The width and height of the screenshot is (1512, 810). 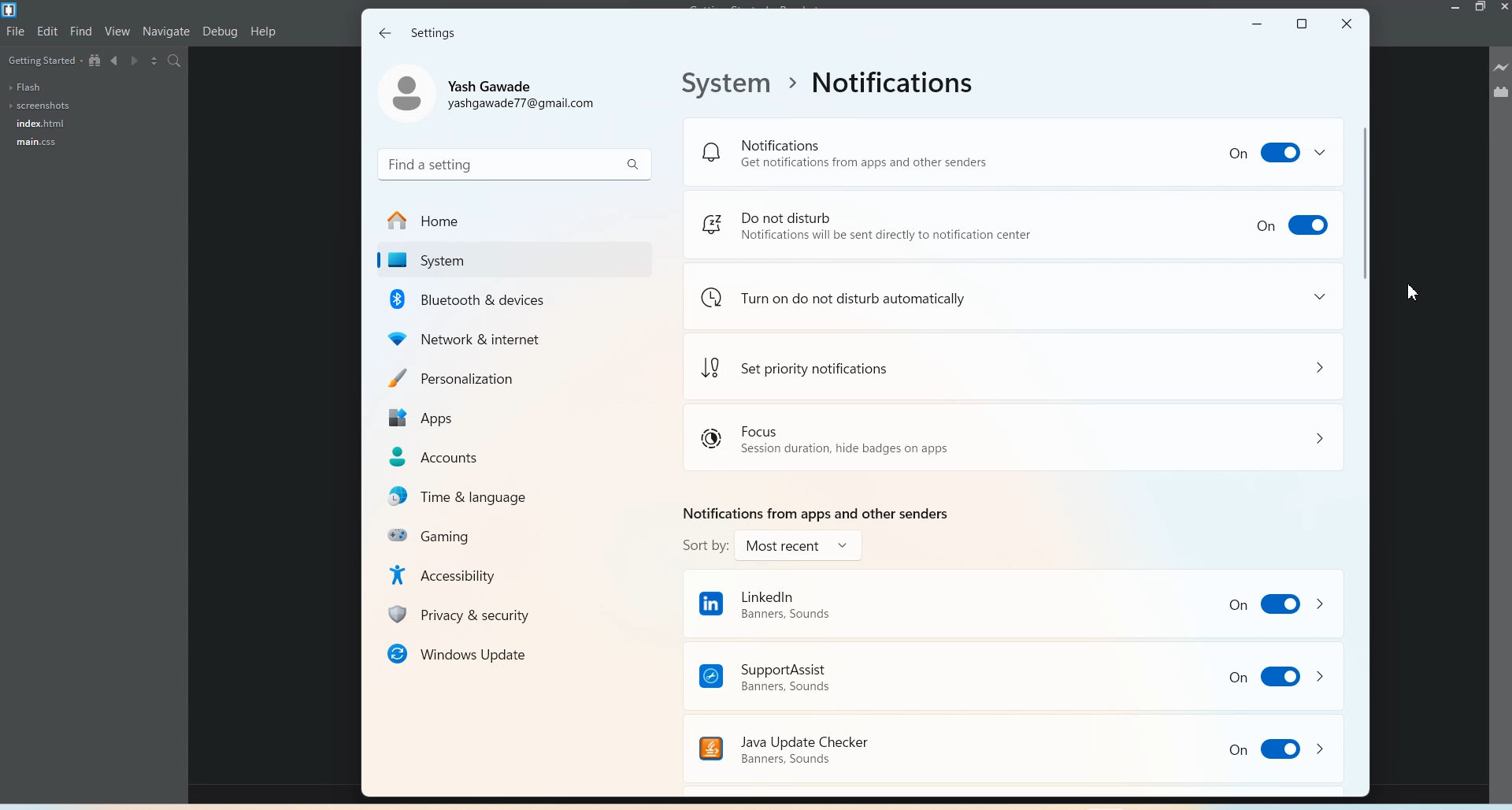 I want to click on View, so click(x=117, y=32).